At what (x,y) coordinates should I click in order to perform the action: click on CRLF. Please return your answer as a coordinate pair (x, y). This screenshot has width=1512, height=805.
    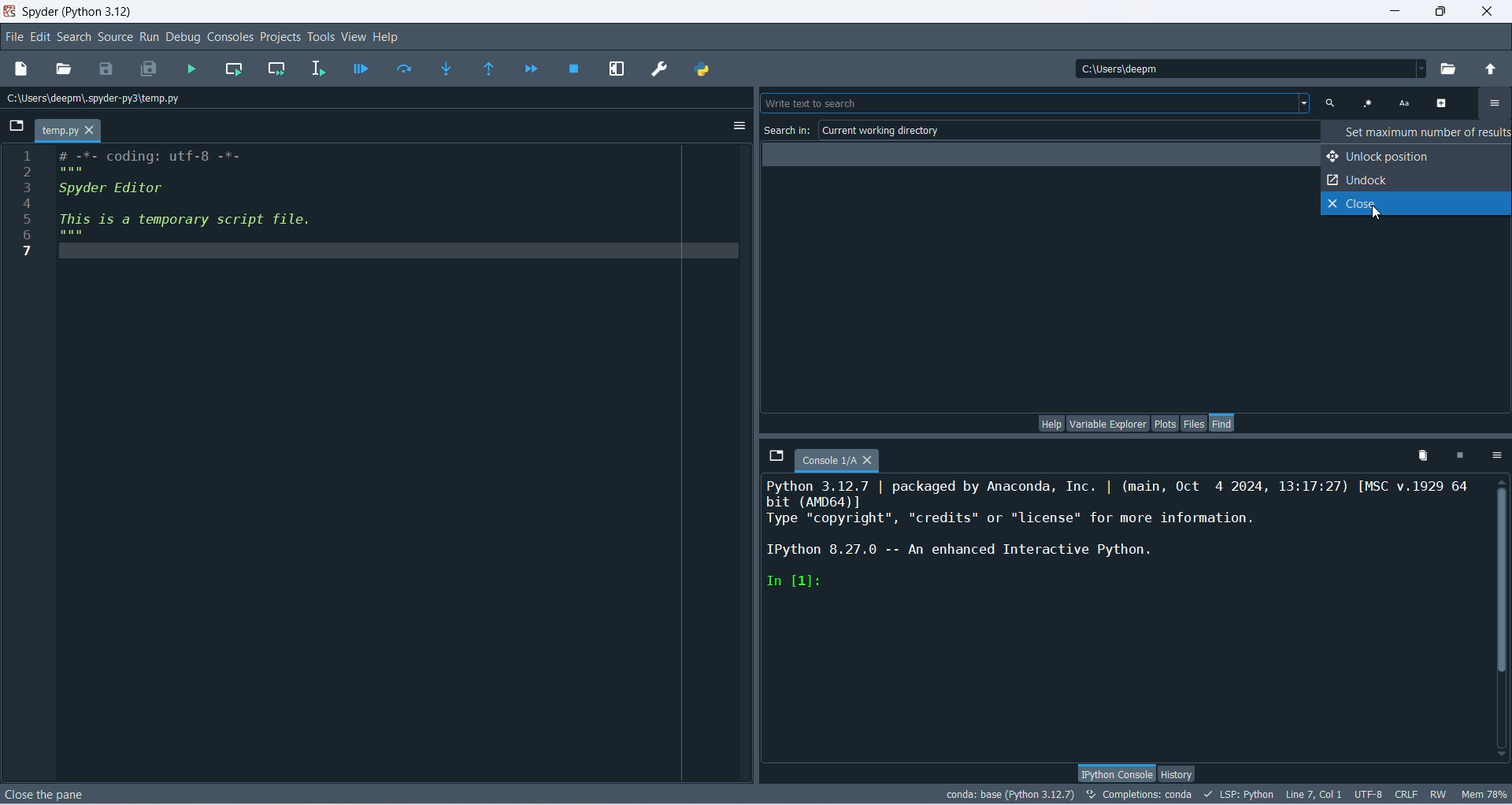
    Looking at the image, I should click on (1407, 795).